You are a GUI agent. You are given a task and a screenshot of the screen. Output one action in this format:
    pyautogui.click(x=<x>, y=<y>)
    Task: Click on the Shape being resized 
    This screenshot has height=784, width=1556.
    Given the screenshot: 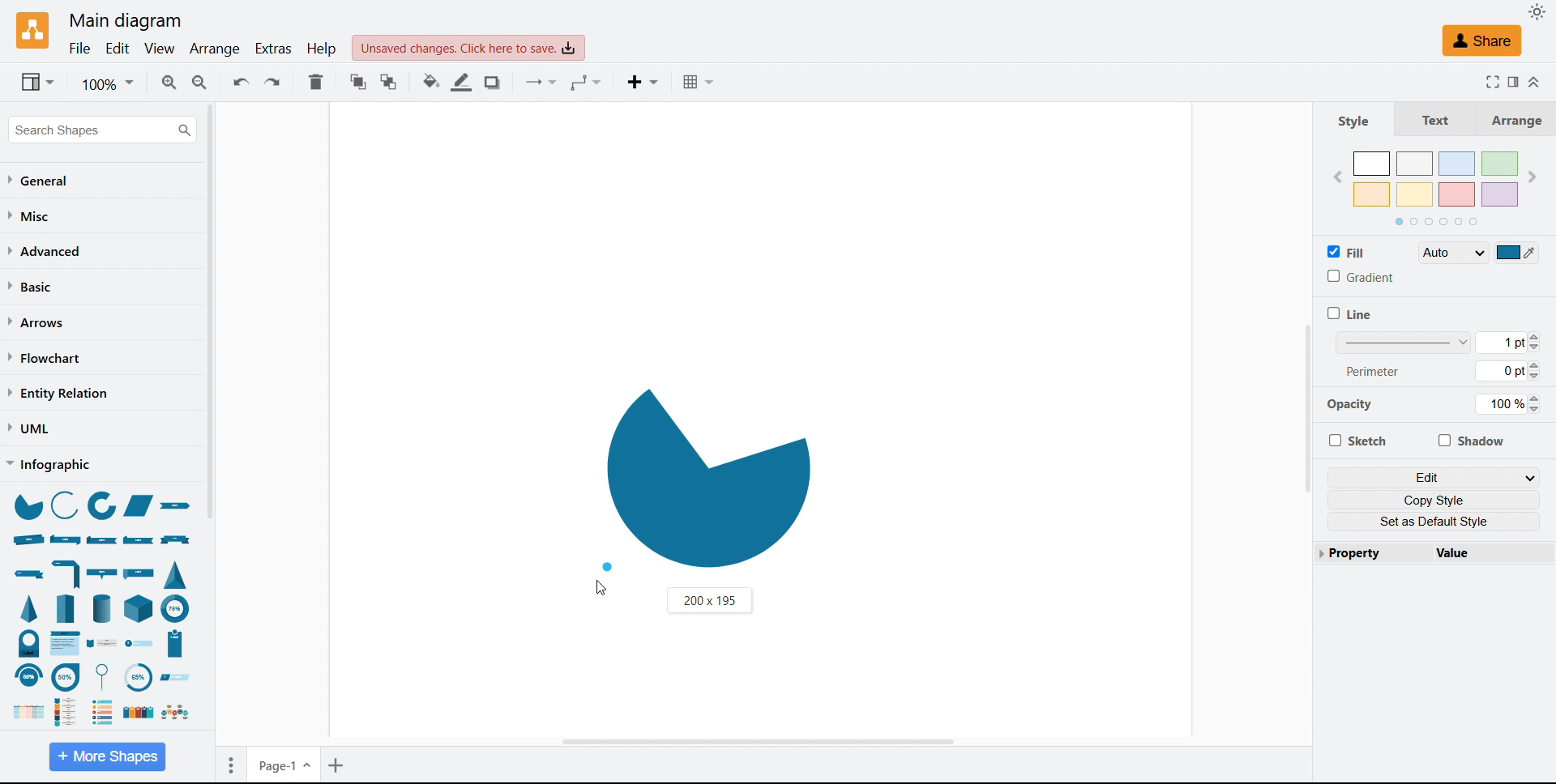 What is the action you would take?
    pyautogui.click(x=707, y=476)
    